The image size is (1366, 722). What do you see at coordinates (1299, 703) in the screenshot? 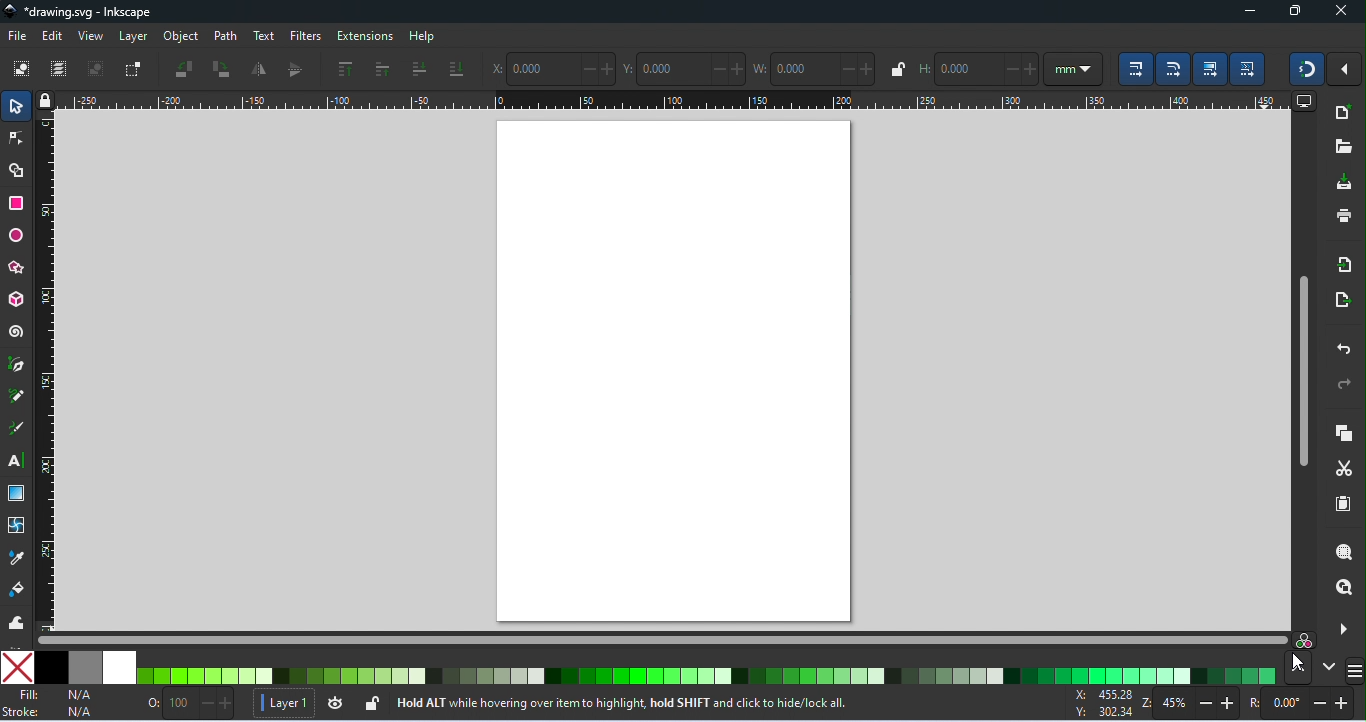
I see `rotation` at bounding box center [1299, 703].